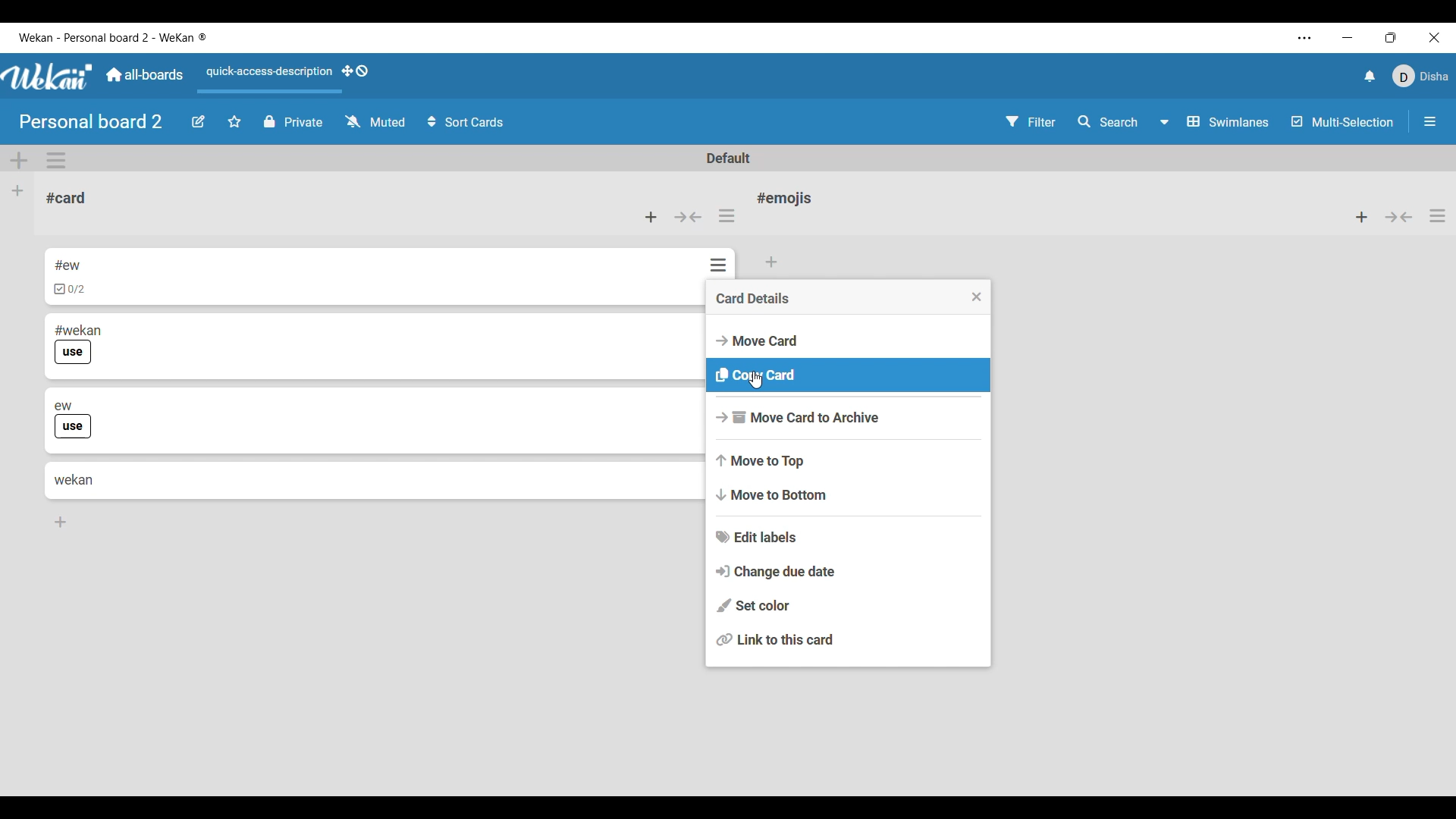 The image size is (1456, 819). What do you see at coordinates (143, 75) in the screenshot?
I see `Go to main dashboard` at bounding box center [143, 75].